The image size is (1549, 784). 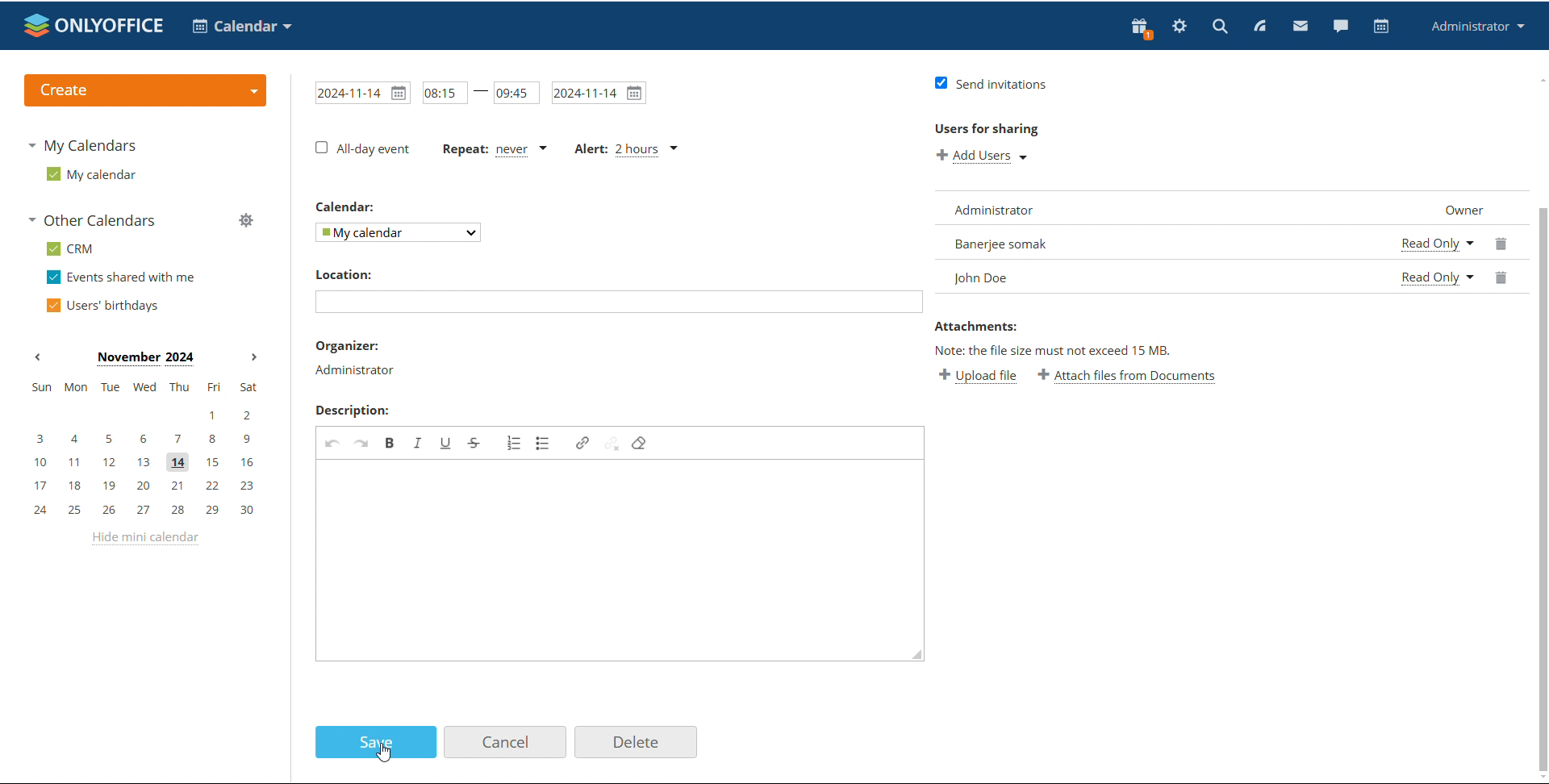 What do you see at coordinates (617, 302) in the screenshot?
I see `add locaton` at bounding box center [617, 302].